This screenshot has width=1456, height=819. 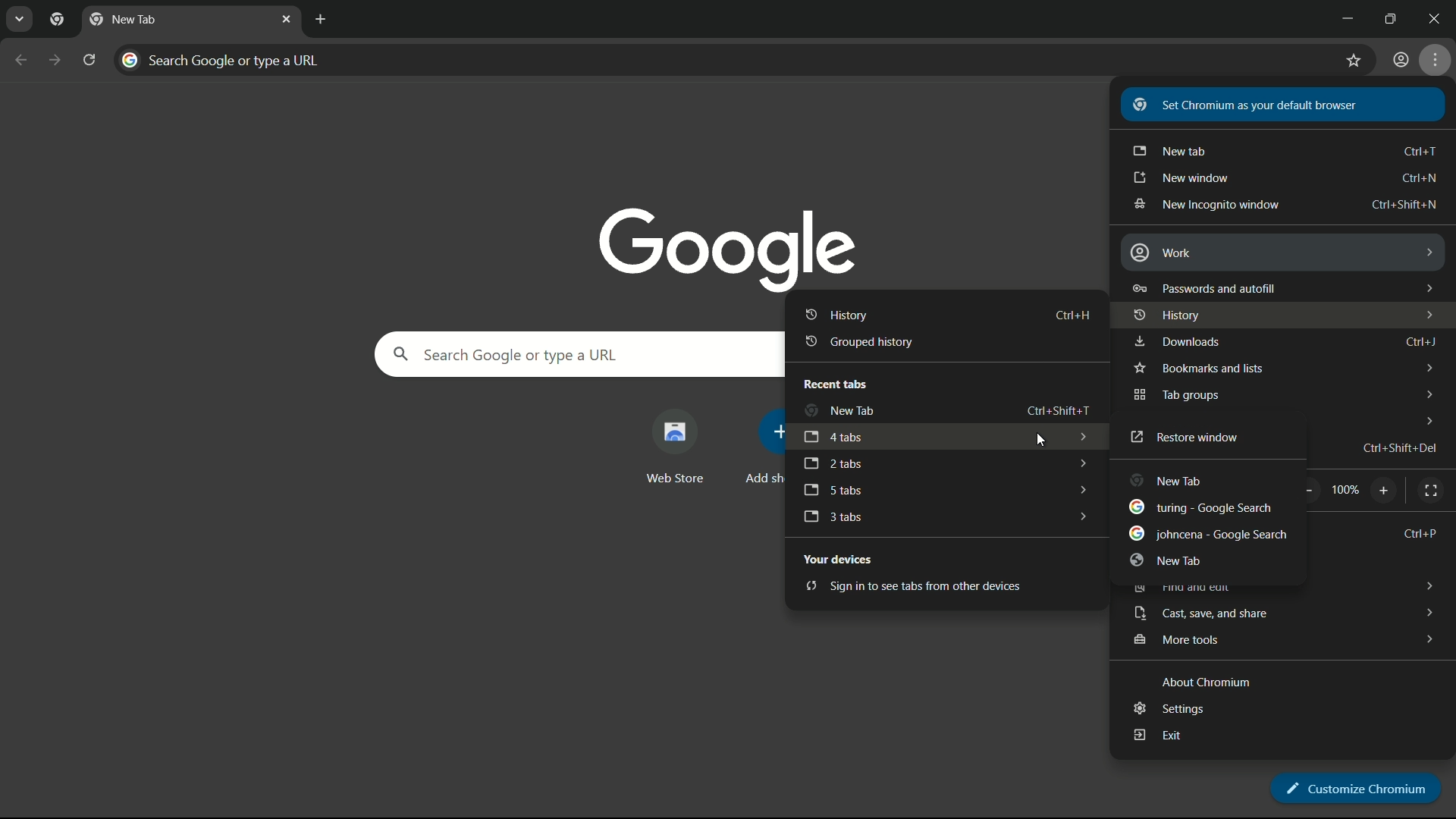 What do you see at coordinates (1348, 64) in the screenshot?
I see `bookmark ` at bounding box center [1348, 64].